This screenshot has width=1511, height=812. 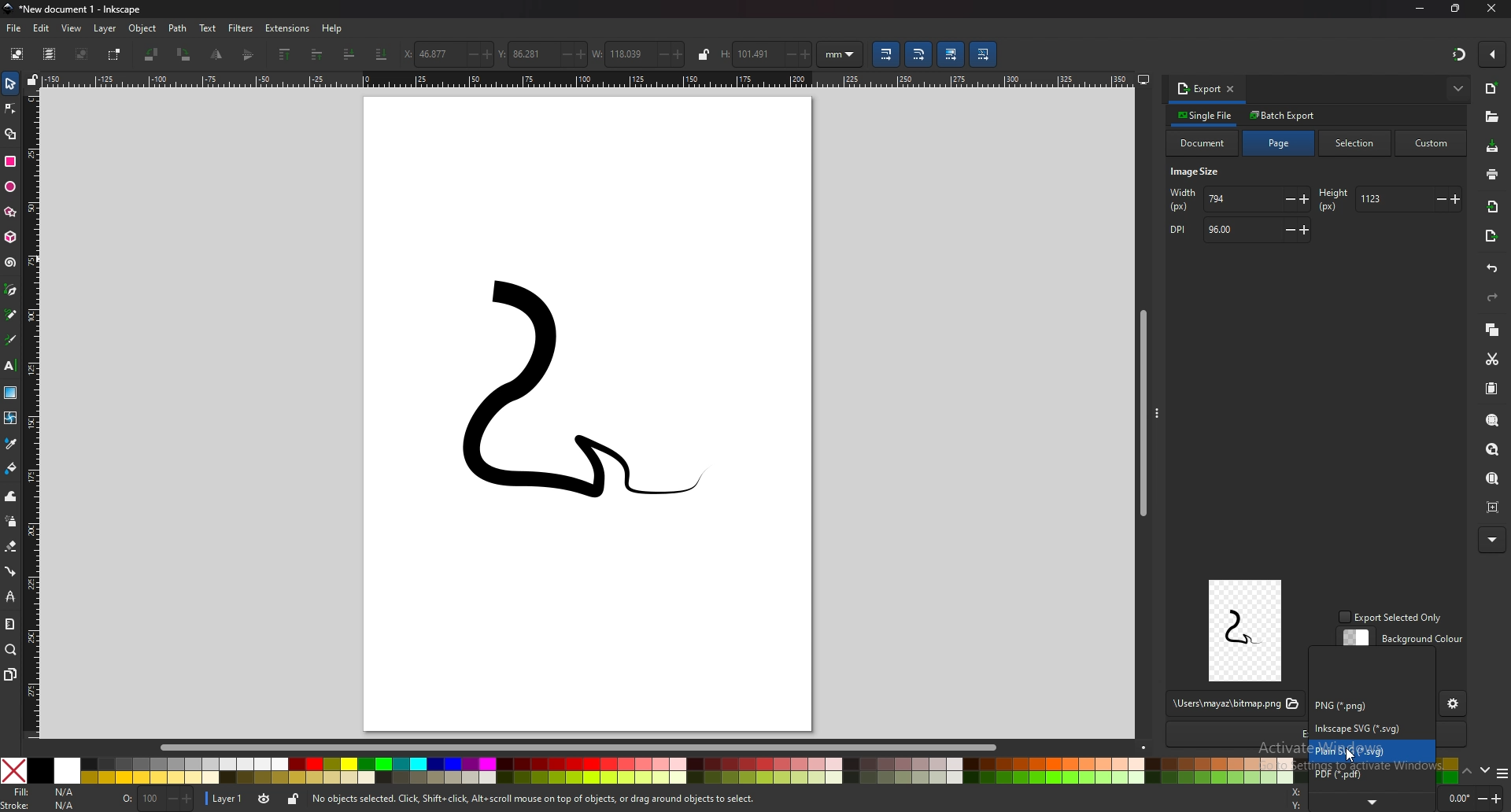 I want to click on lower selection to bottom, so click(x=382, y=54).